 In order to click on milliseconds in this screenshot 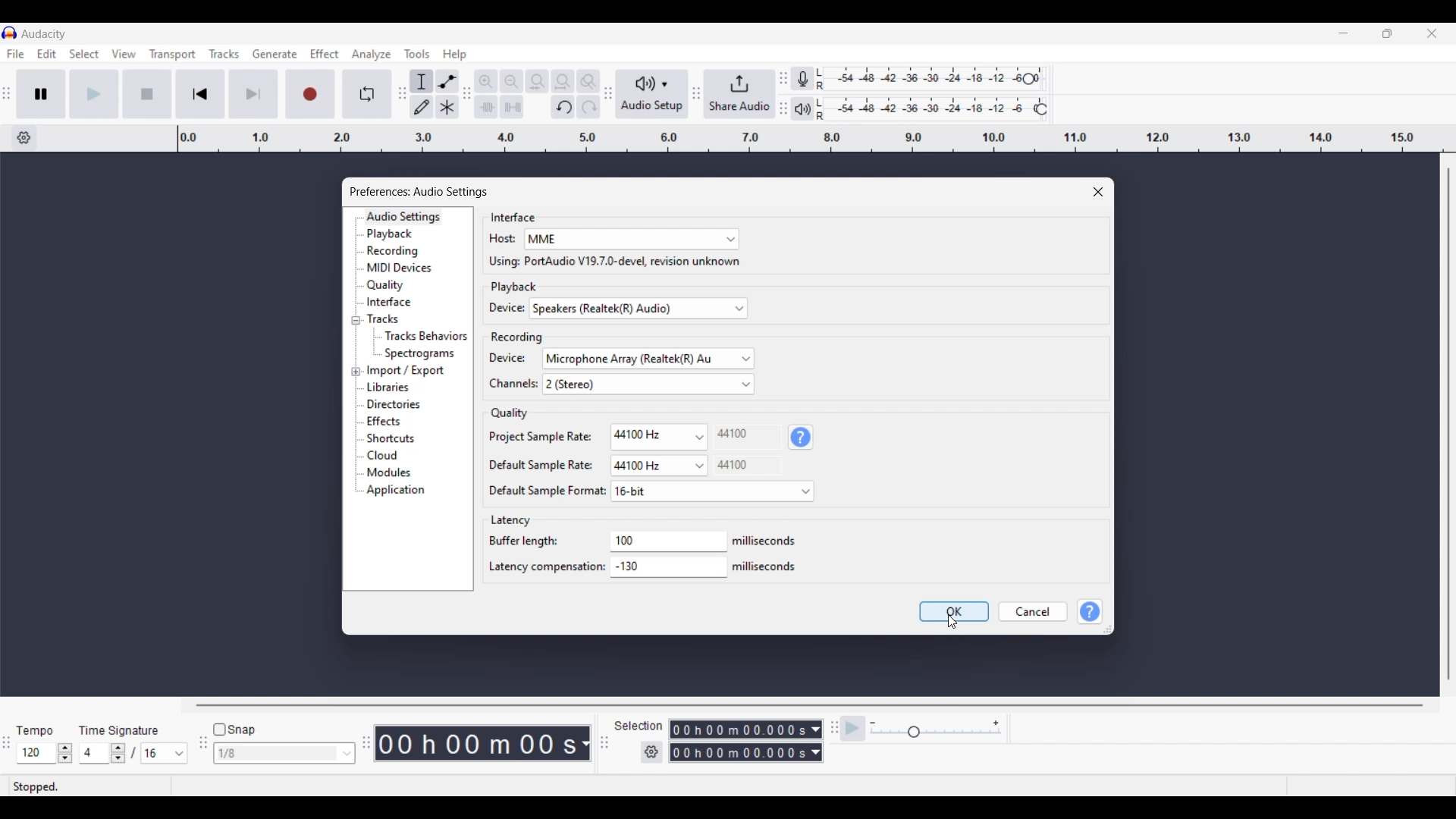, I will do `click(767, 566)`.